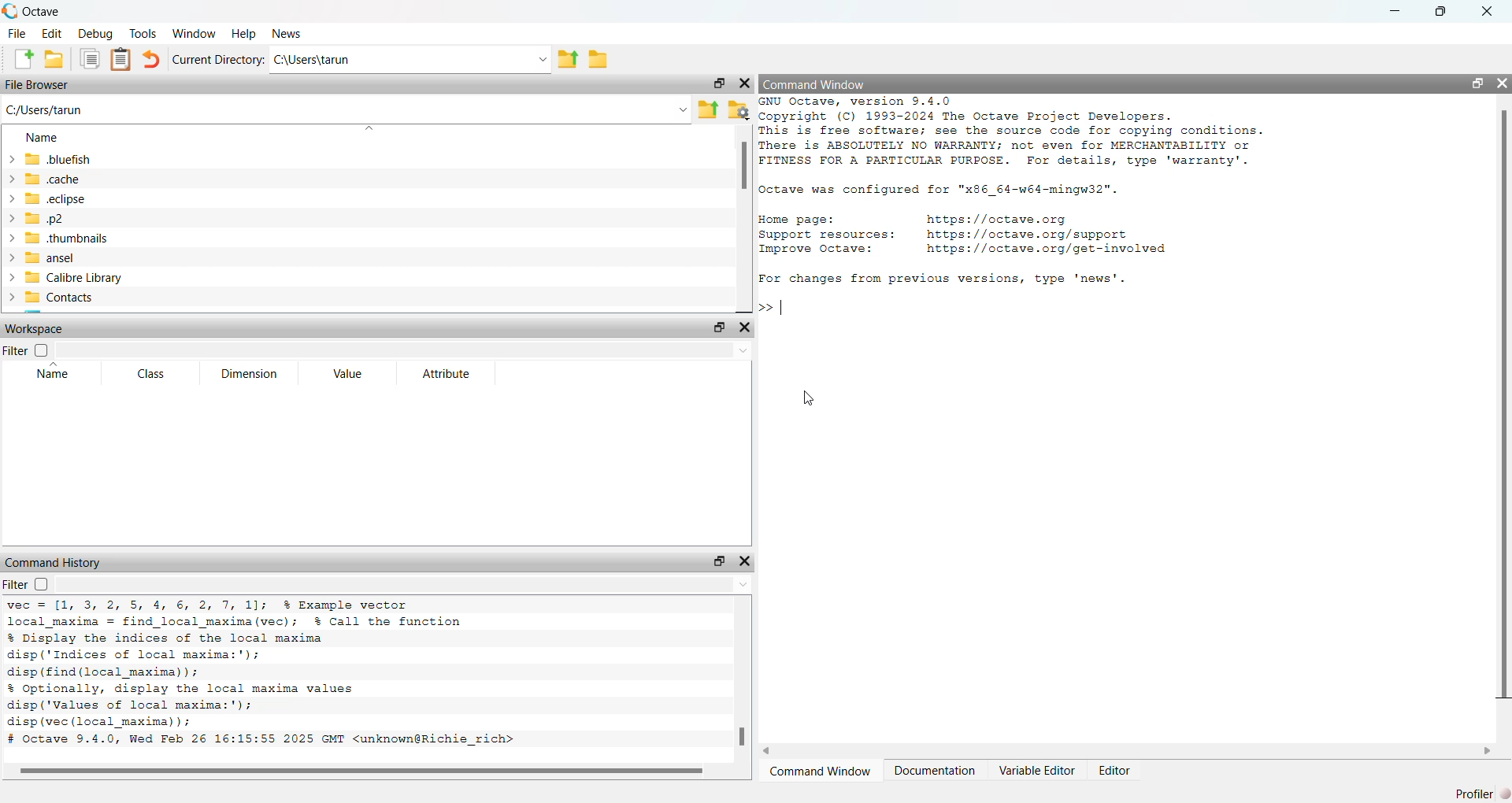 The image size is (1512, 803). What do you see at coordinates (55, 373) in the screenshot?
I see `Name` at bounding box center [55, 373].